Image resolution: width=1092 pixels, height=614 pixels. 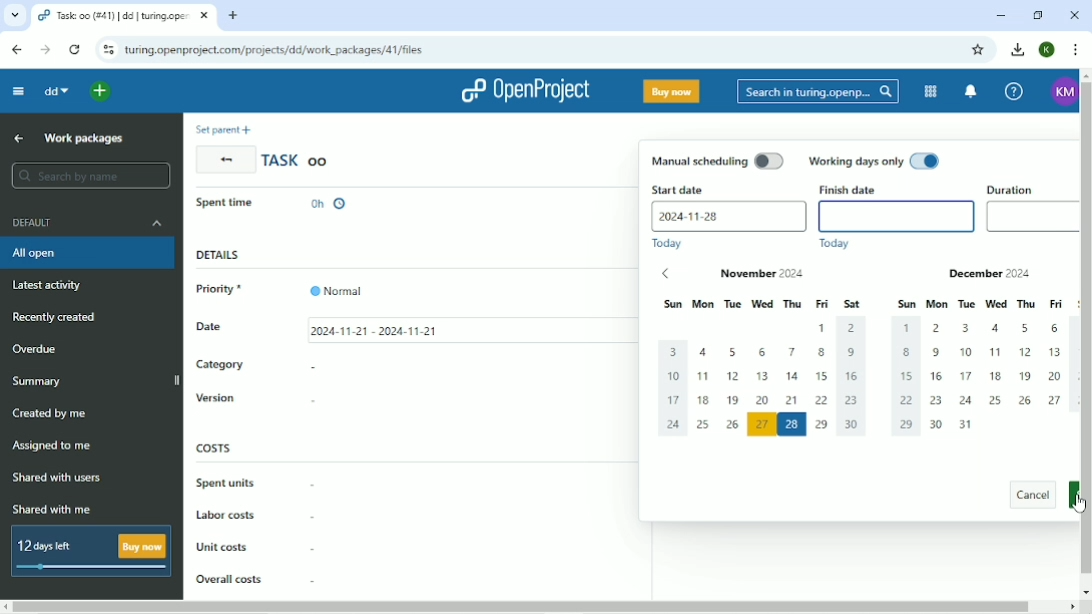 I want to click on Open quick add menu, so click(x=101, y=91).